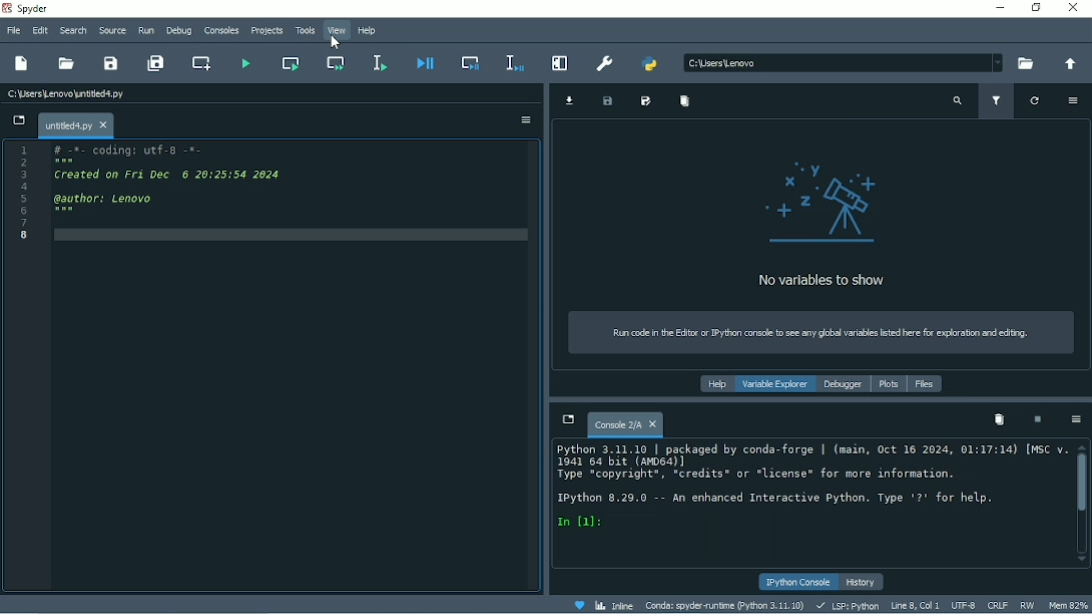 This screenshot has height=614, width=1092. Describe the element at coordinates (715, 384) in the screenshot. I see `Help` at that location.